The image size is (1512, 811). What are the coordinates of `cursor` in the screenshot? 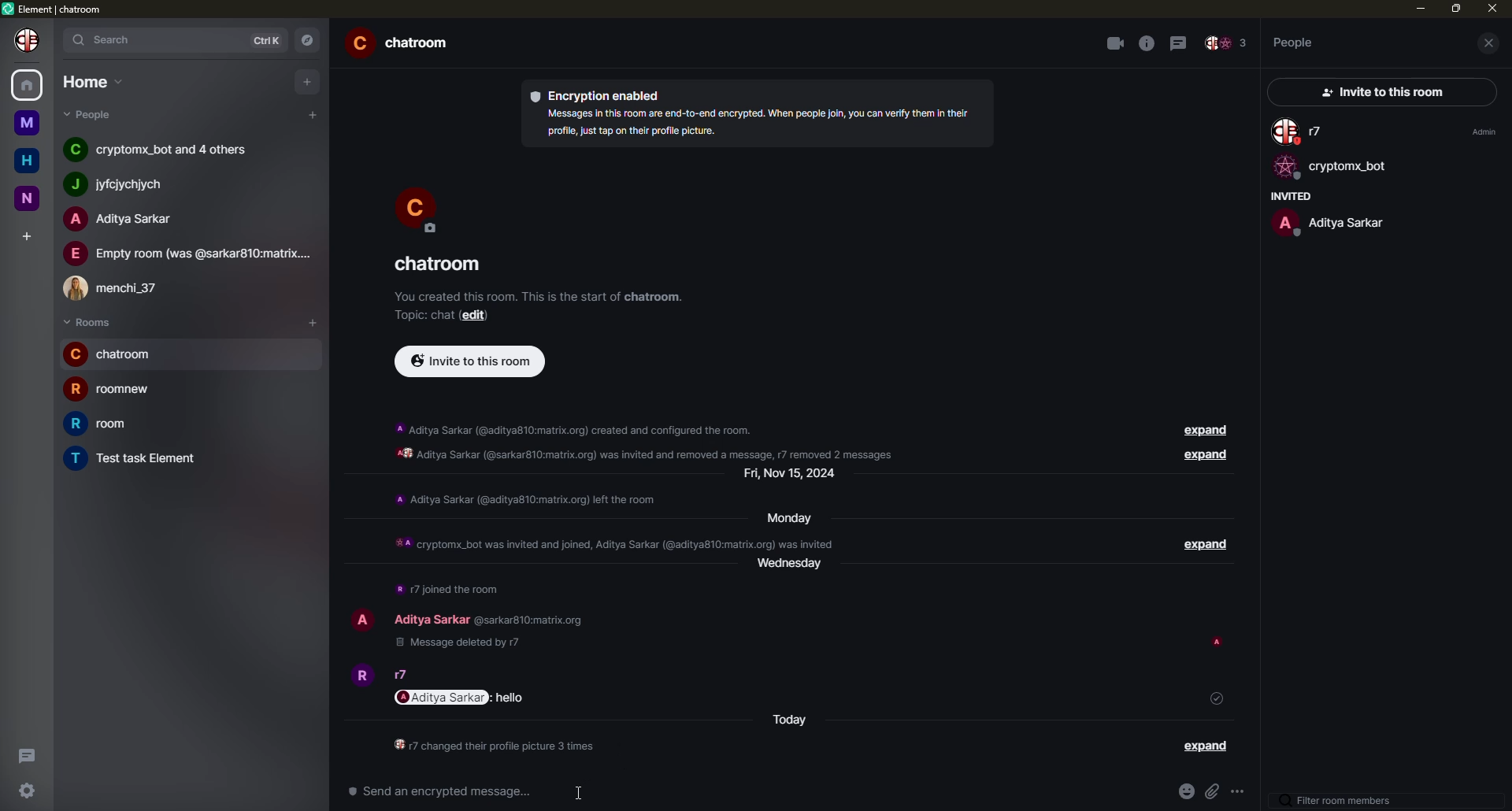 It's located at (580, 792).